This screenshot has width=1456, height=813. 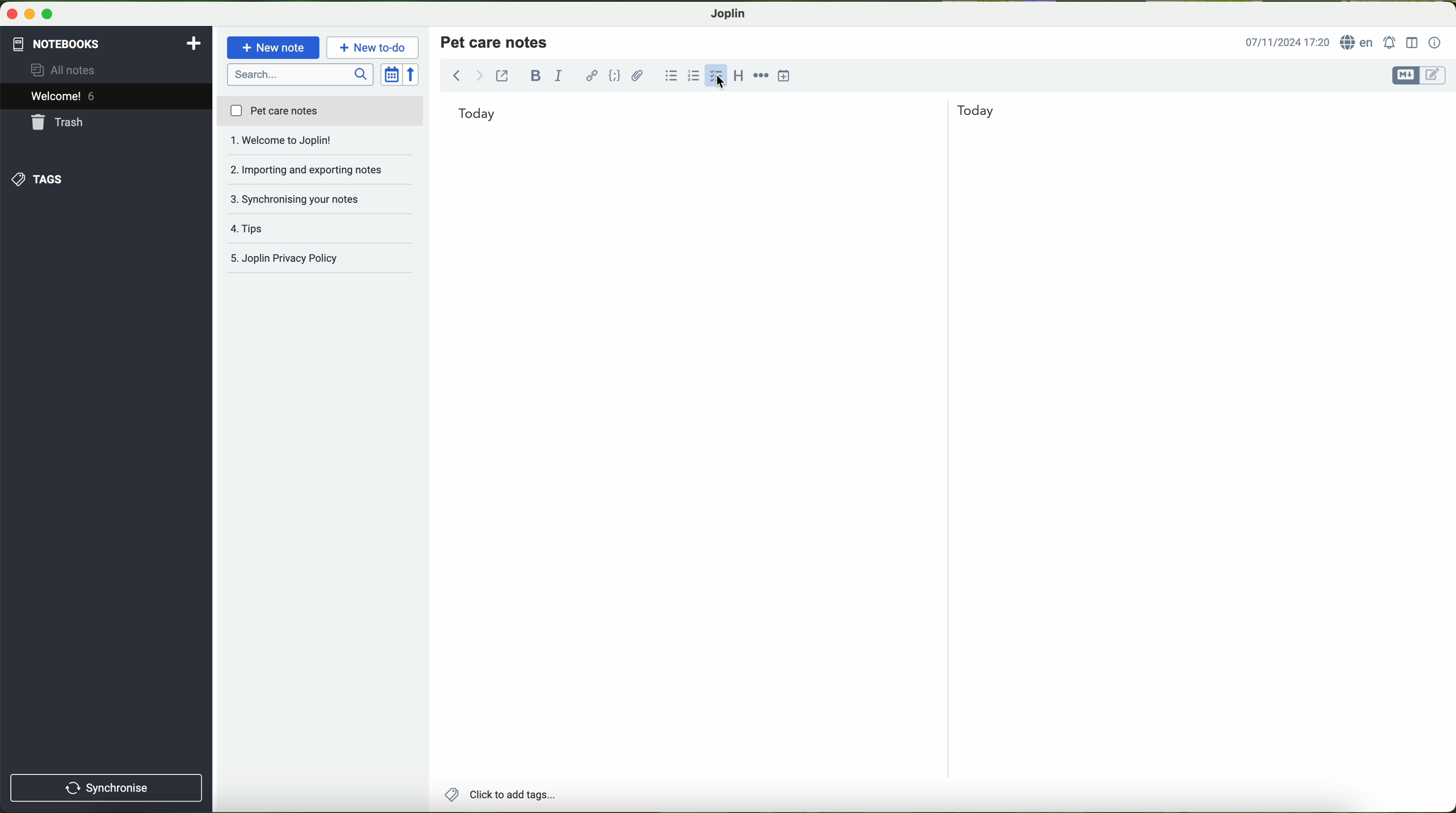 What do you see at coordinates (28, 15) in the screenshot?
I see `screen buttons` at bounding box center [28, 15].